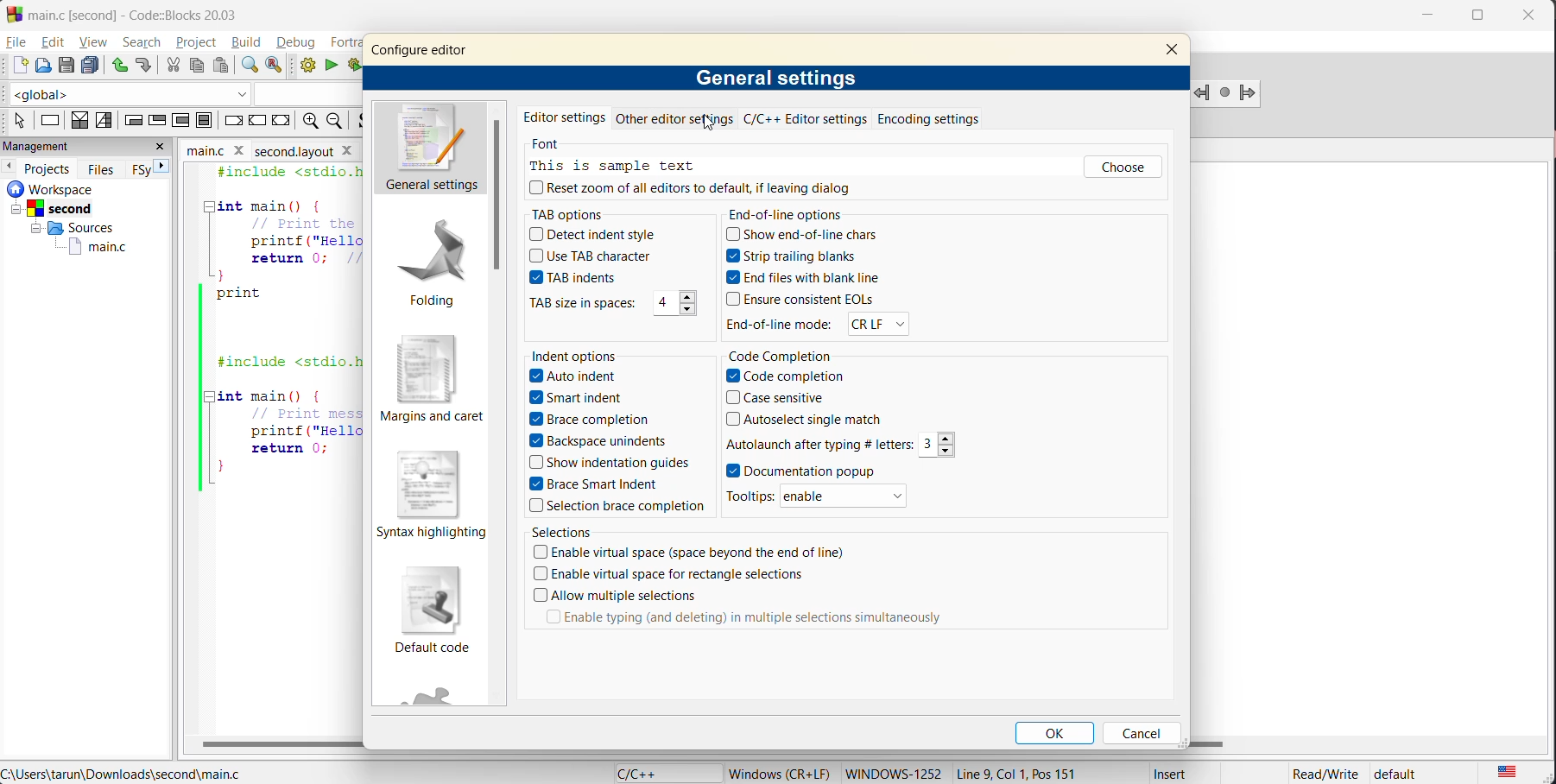 Image resolution: width=1556 pixels, height=784 pixels. I want to click on FSY, so click(140, 169).